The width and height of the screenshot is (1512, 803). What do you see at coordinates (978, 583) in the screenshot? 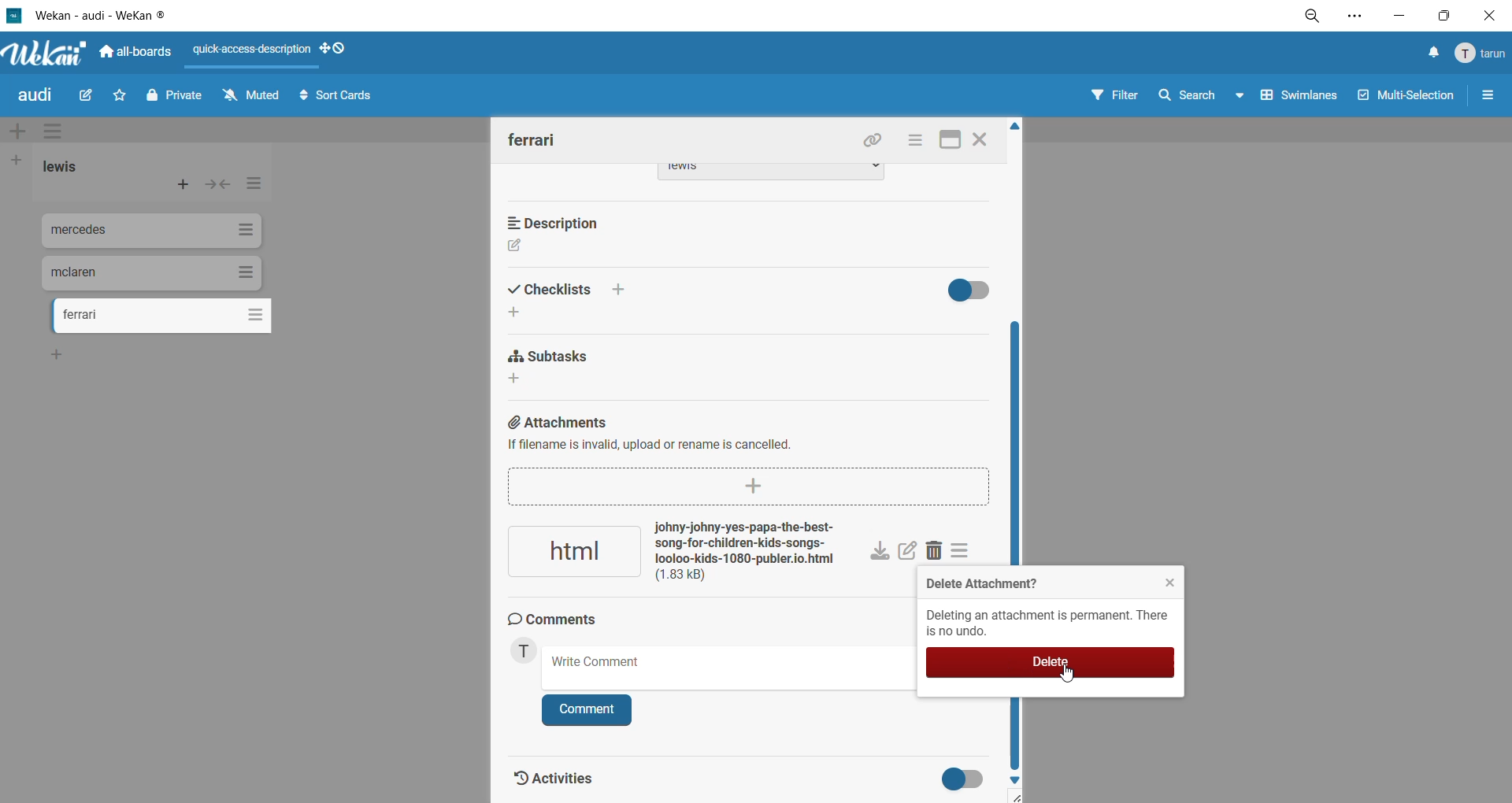
I see `delete attachment` at bounding box center [978, 583].